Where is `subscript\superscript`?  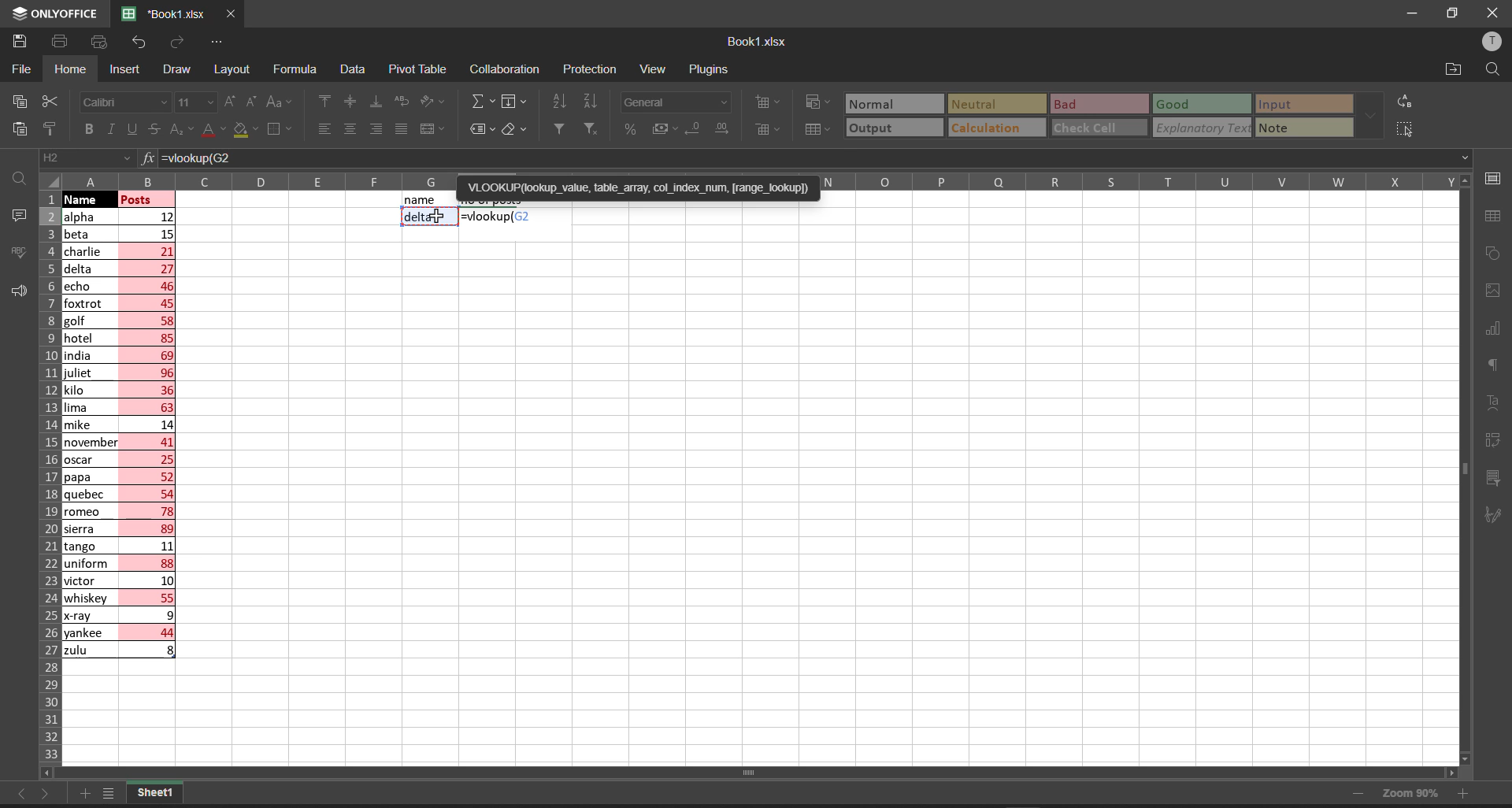
subscript\superscript is located at coordinates (180, 127).